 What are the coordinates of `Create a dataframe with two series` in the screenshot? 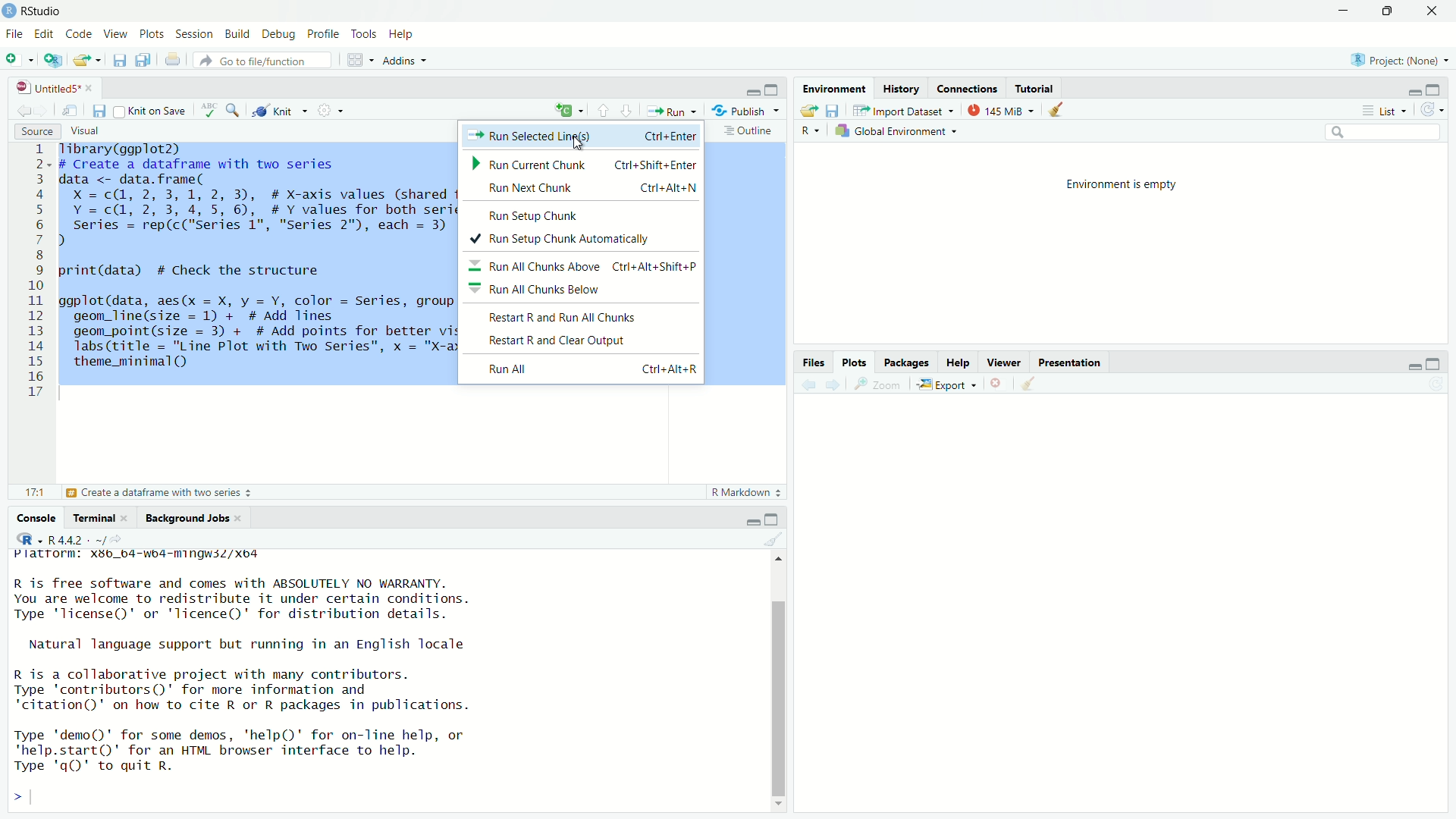 It's located at (160, 493).